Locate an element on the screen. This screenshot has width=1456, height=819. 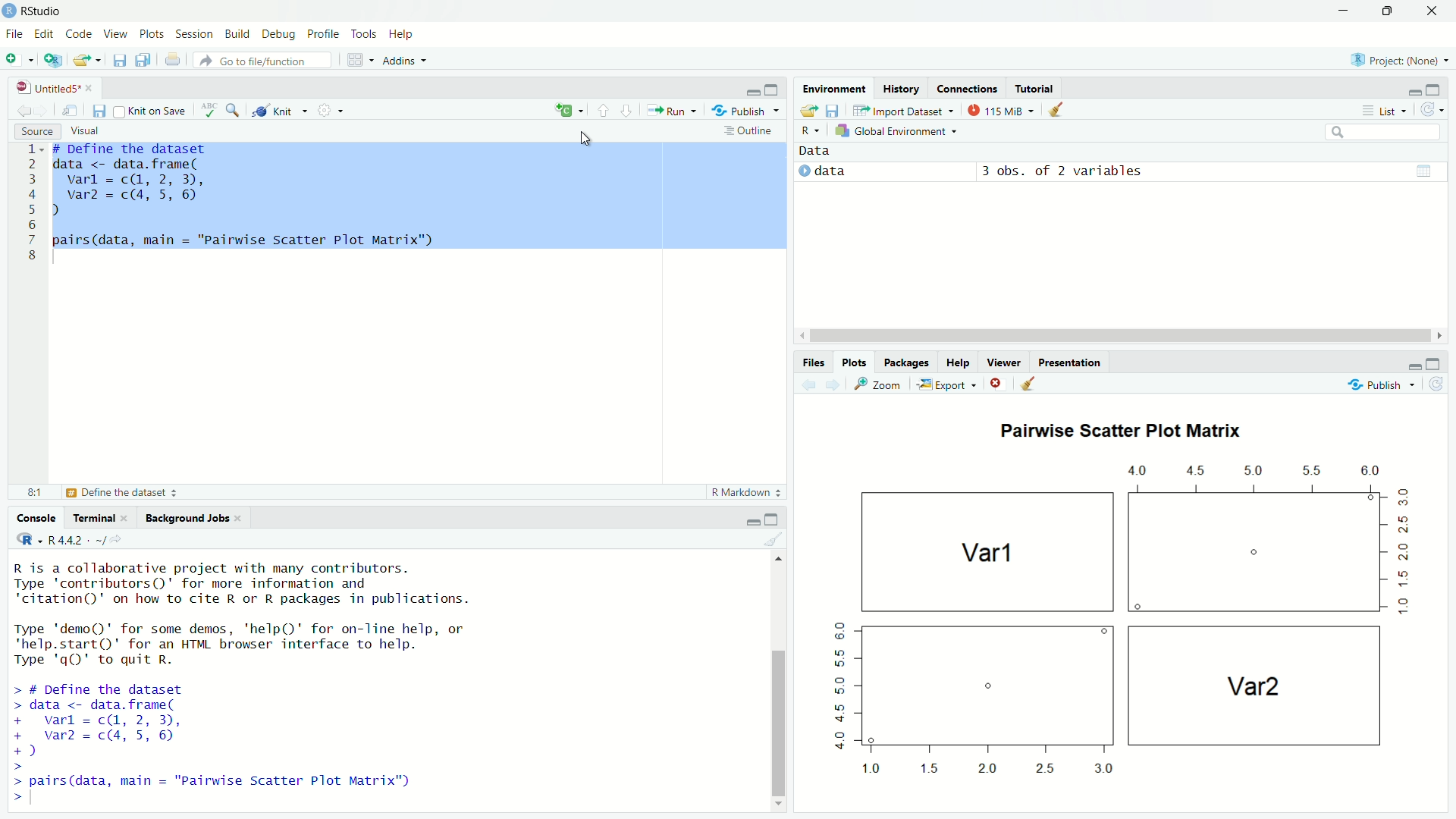
Go to next section/chunk (Ctrl + pgDn) is located at coordinates (626, 110).